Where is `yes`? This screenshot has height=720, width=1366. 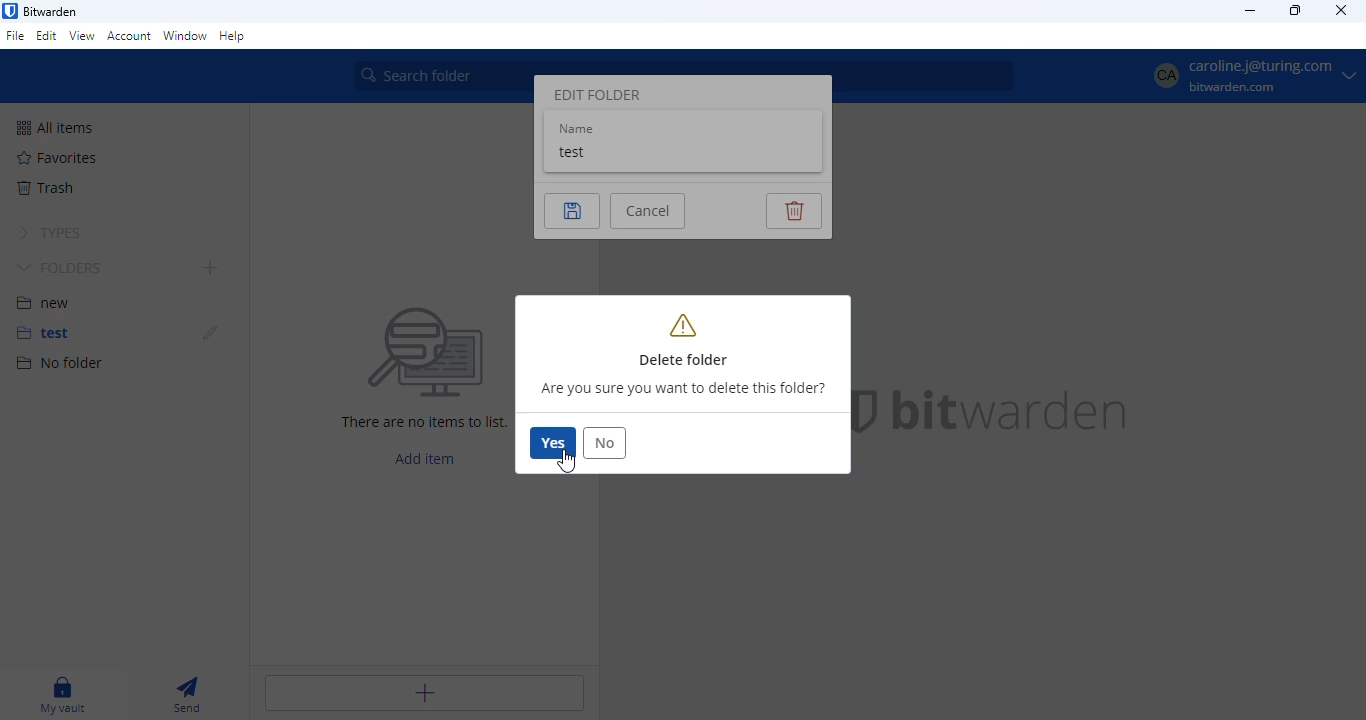 yes is located at coordinates (553, 443).